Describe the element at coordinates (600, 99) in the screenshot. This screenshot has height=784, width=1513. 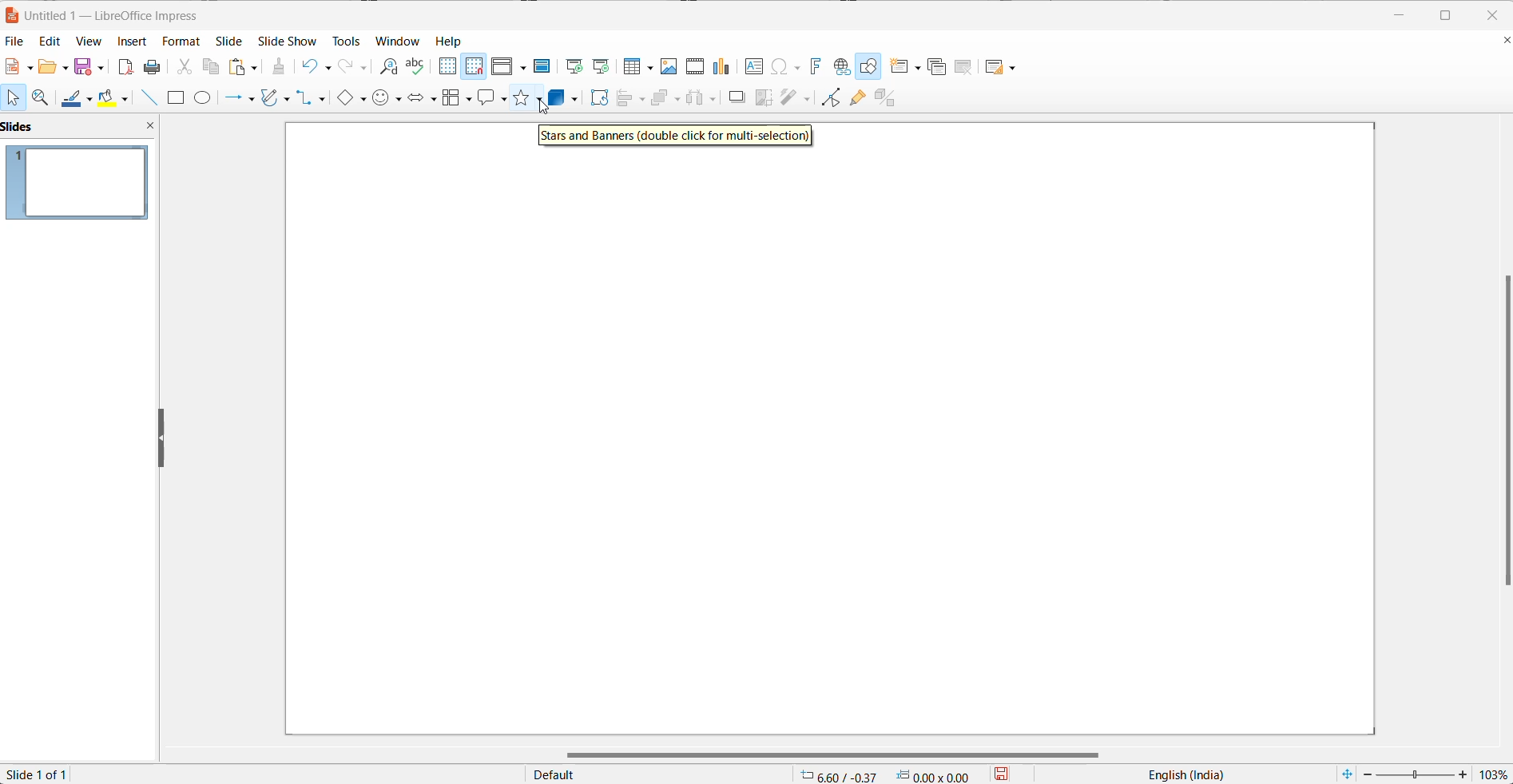
I see `rotate` at that location.